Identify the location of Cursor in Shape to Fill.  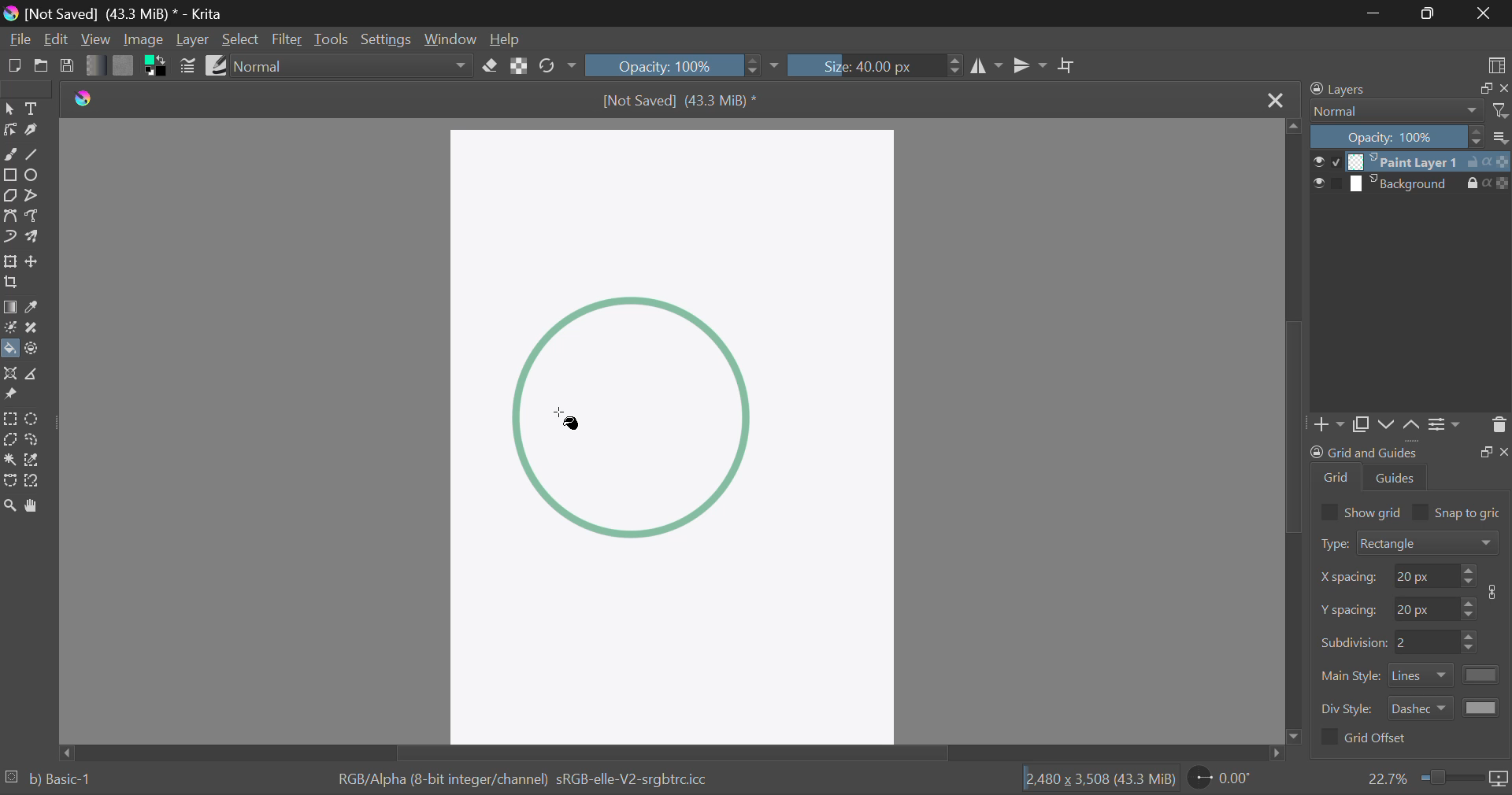
(576, 414).